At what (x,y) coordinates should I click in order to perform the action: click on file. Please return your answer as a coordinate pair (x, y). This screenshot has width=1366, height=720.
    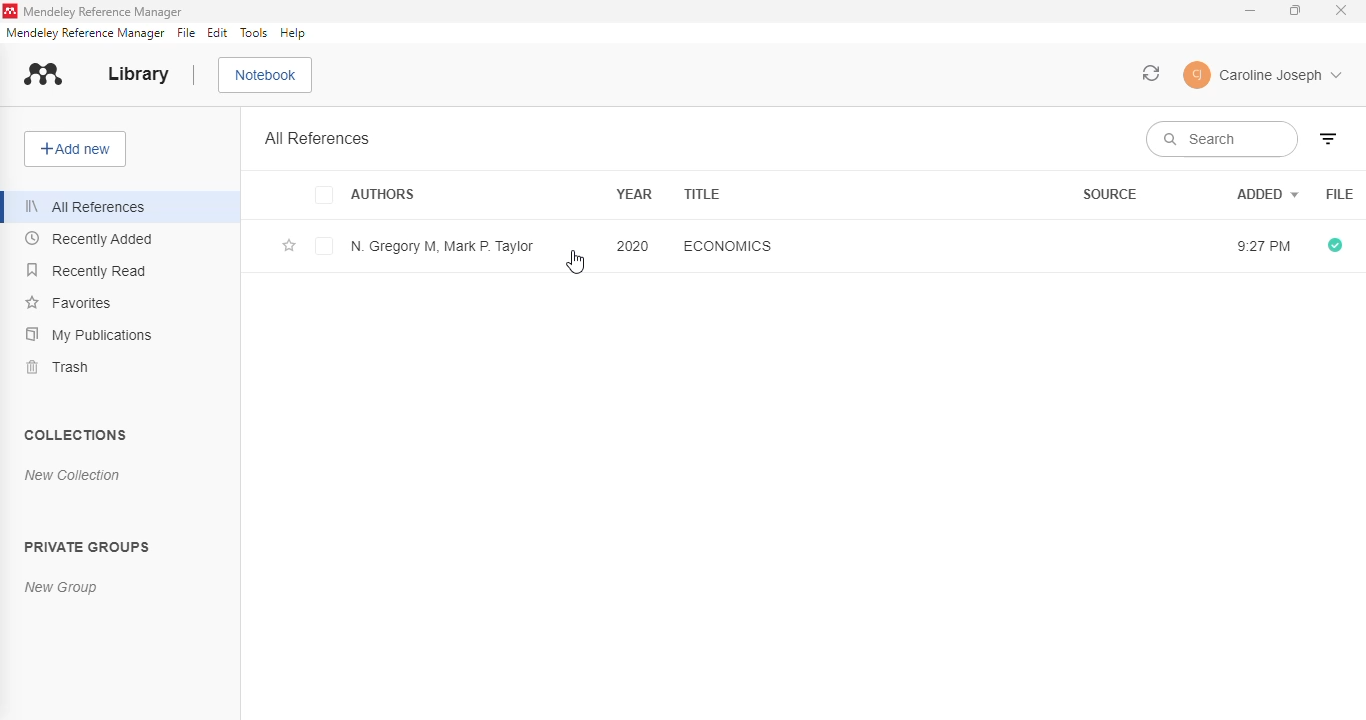
    Looking at the image, I should click on (186, 33).